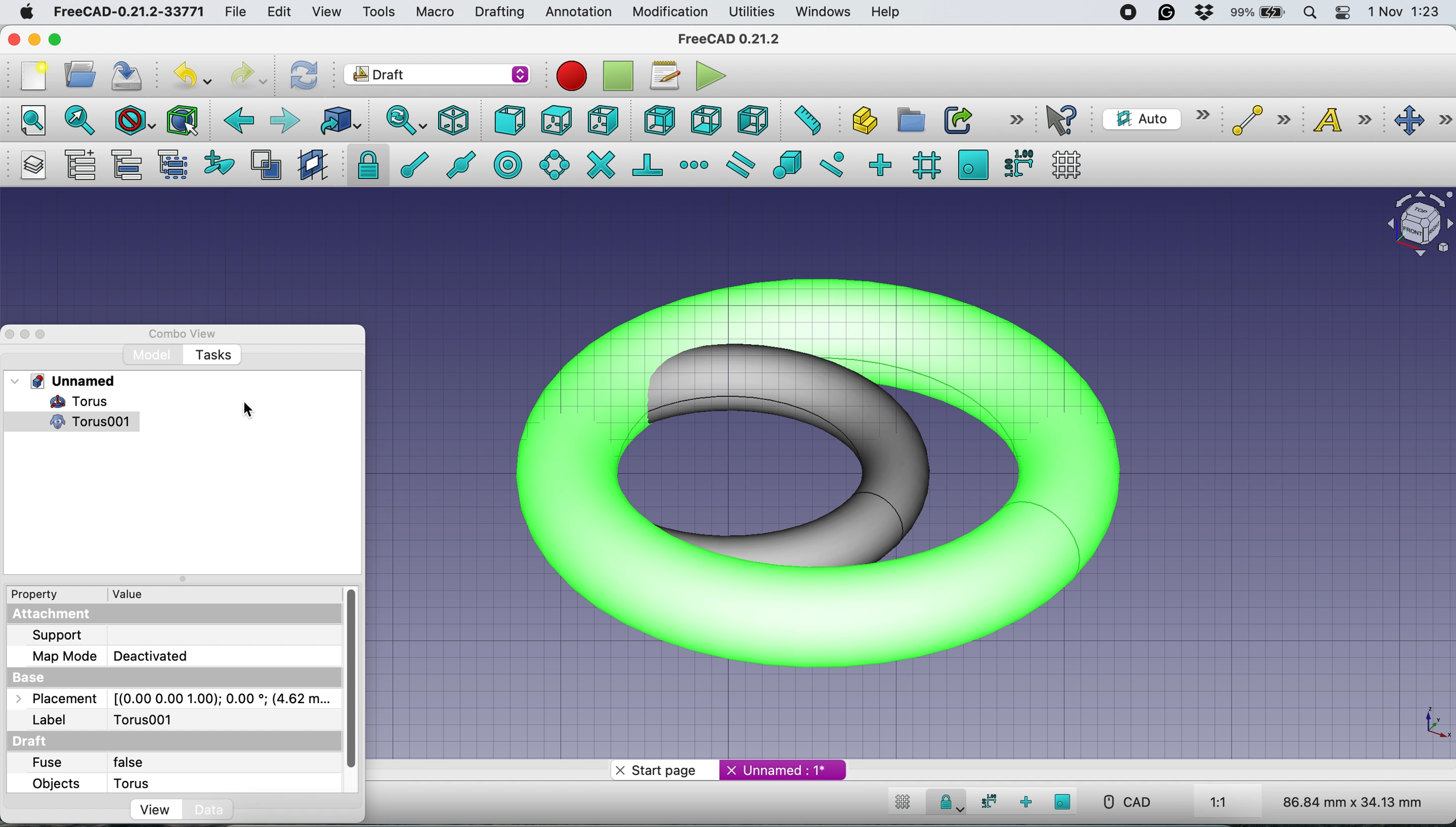  I want to click on start page, so click(662, 771).